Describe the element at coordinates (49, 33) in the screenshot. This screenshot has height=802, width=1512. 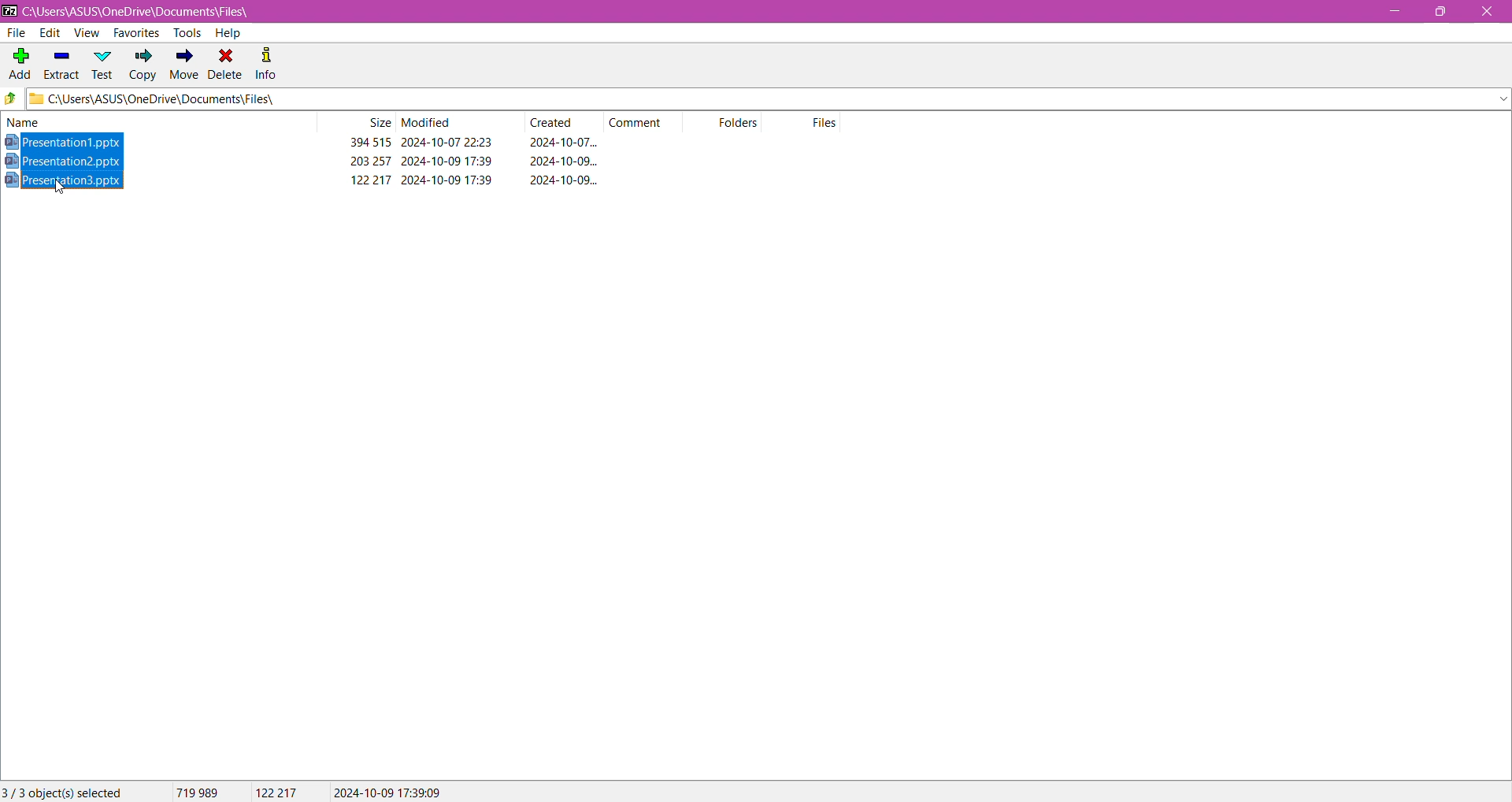
I see `Edit` at that location.